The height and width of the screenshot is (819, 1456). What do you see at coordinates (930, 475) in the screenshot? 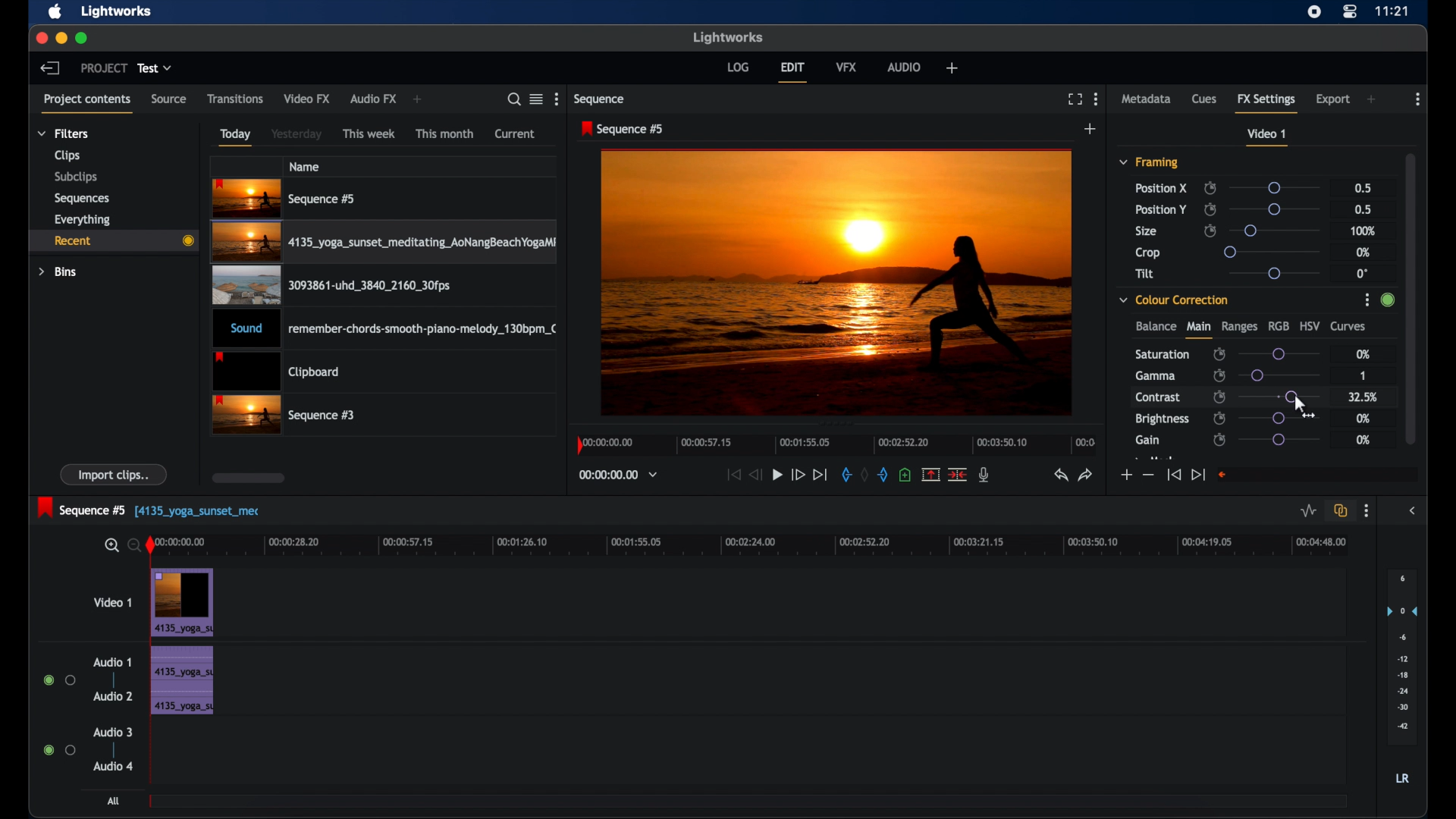
I see `remove the marked section` at bounding box center [930, 475].